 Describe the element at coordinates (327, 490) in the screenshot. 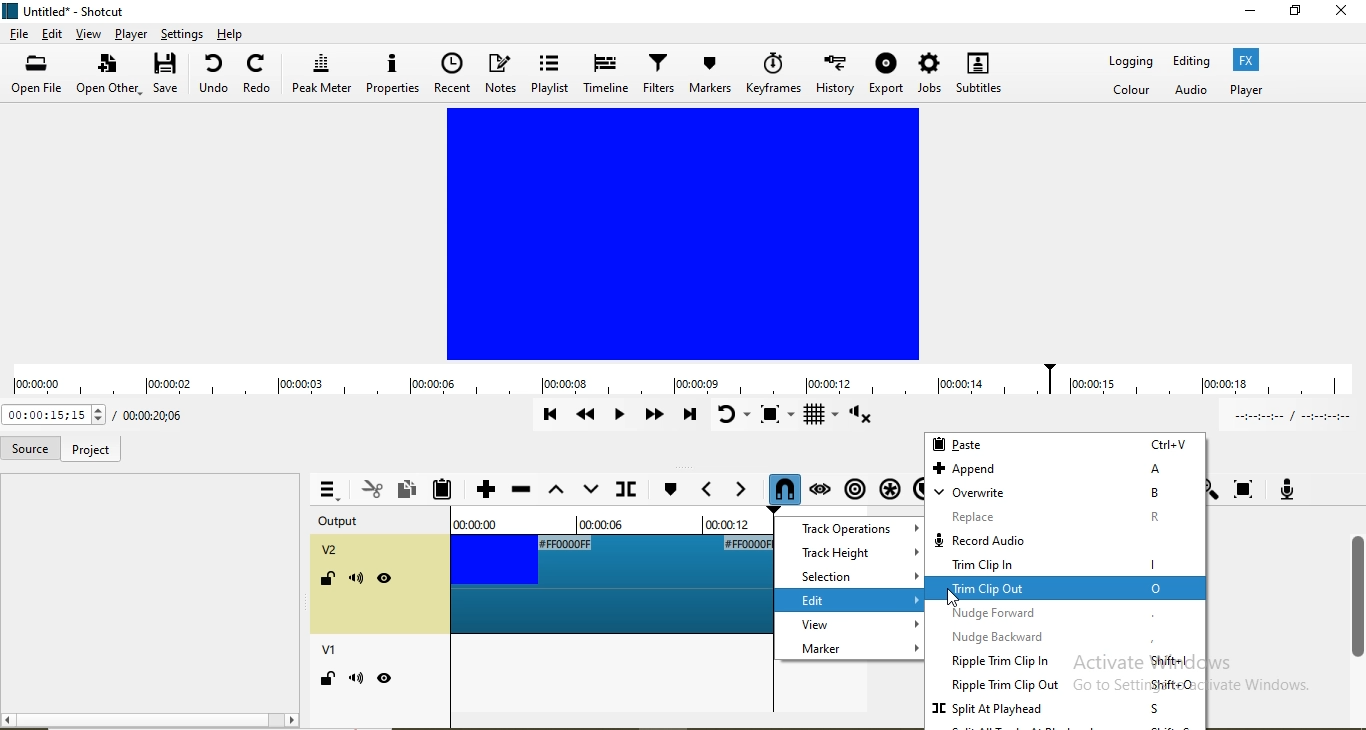

I see `Timeline menu` at that location.